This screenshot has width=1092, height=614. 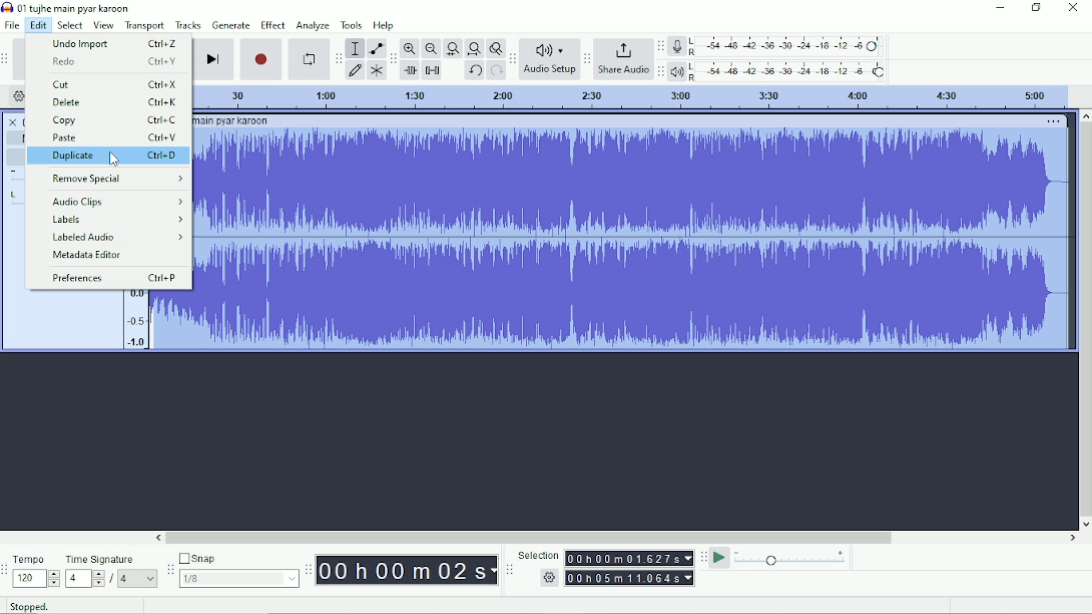 I want to click on 00 h 00 m 00.00s, so click(x=407, y=571).